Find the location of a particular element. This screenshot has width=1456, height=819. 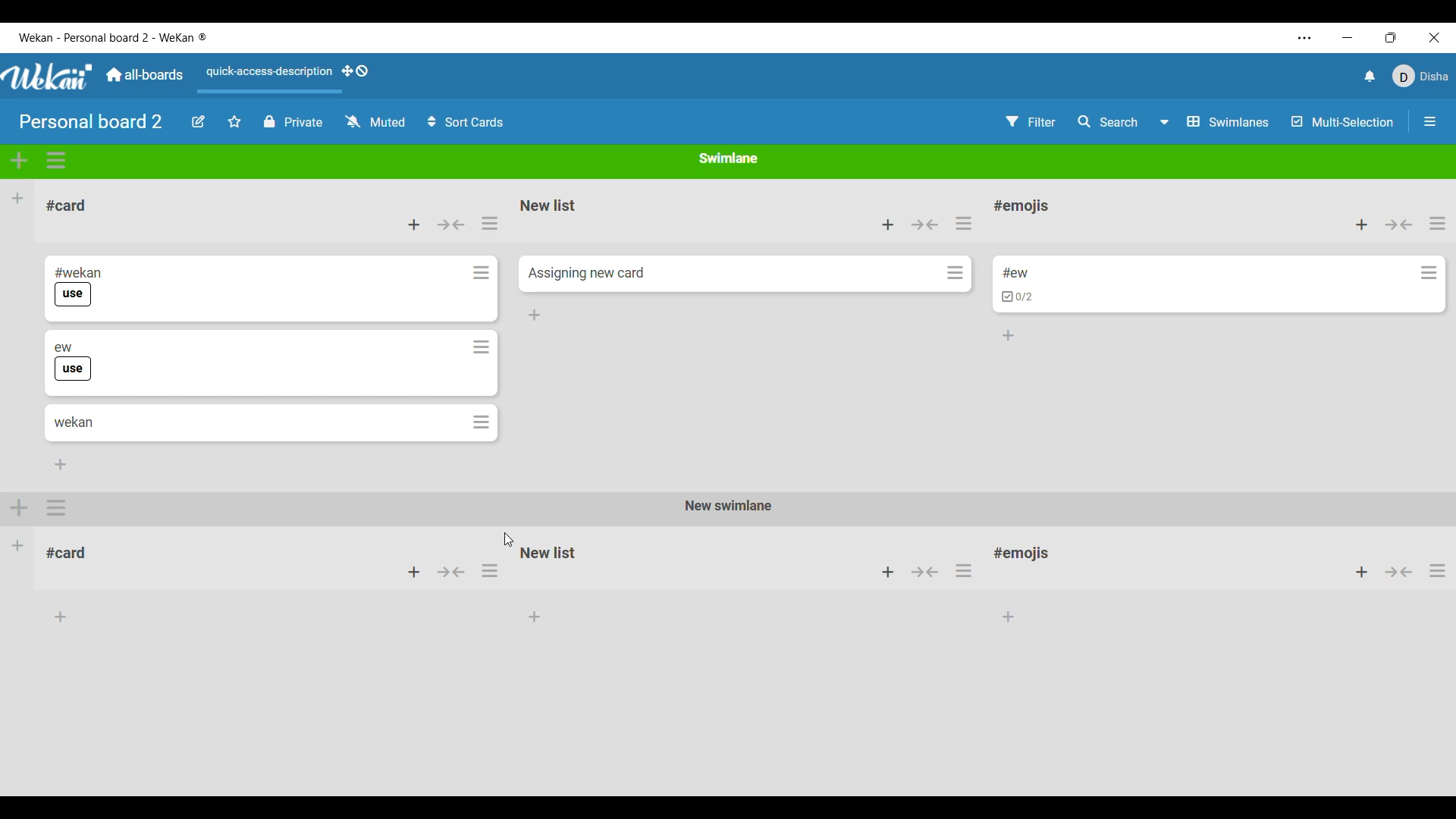

Software name and board name is located at coordinates (112, 37).